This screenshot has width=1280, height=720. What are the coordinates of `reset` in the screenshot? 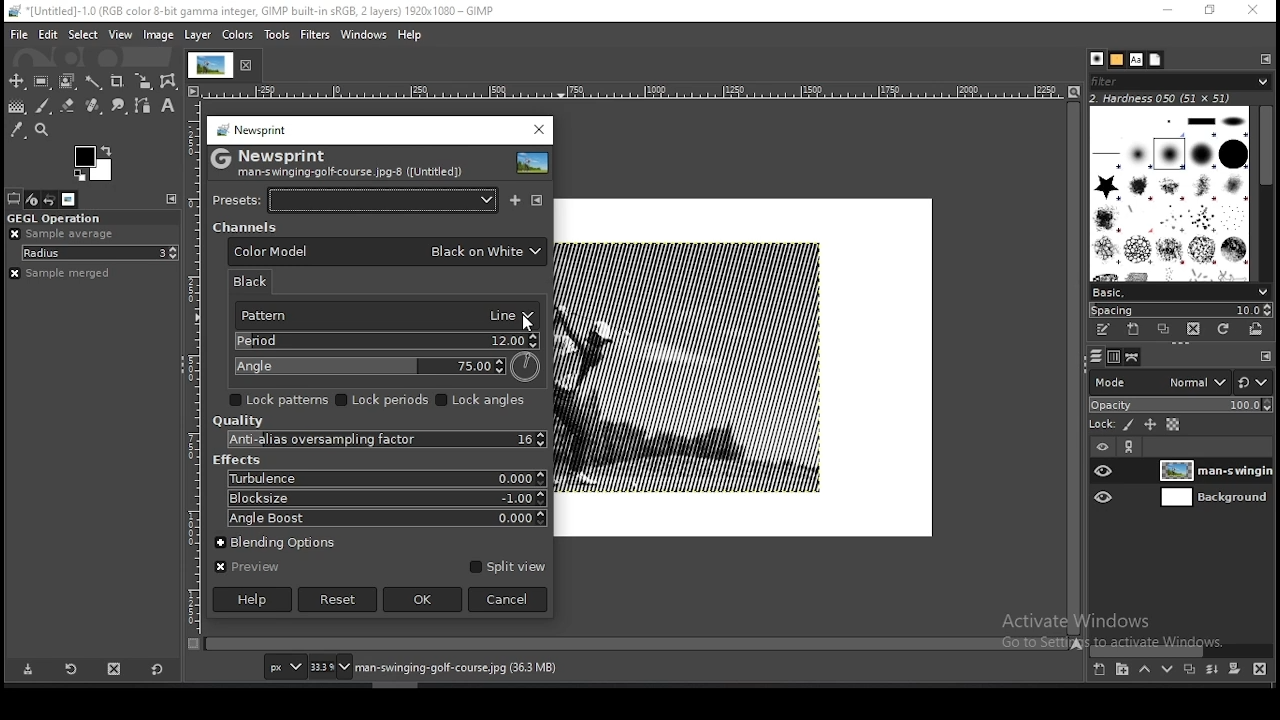 It's located at (338, 600).